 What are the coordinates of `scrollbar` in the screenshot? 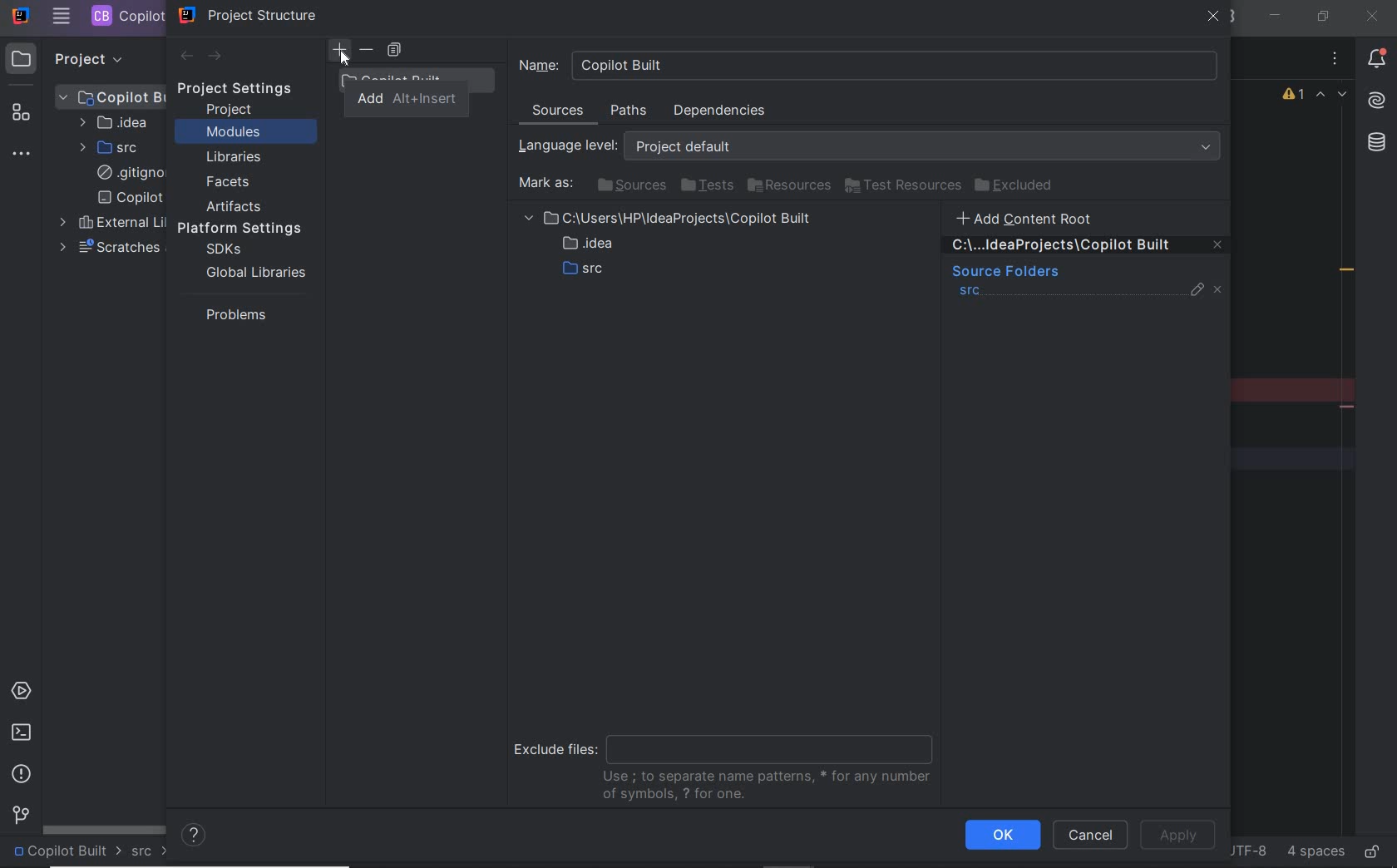 It's located at (105, 828).